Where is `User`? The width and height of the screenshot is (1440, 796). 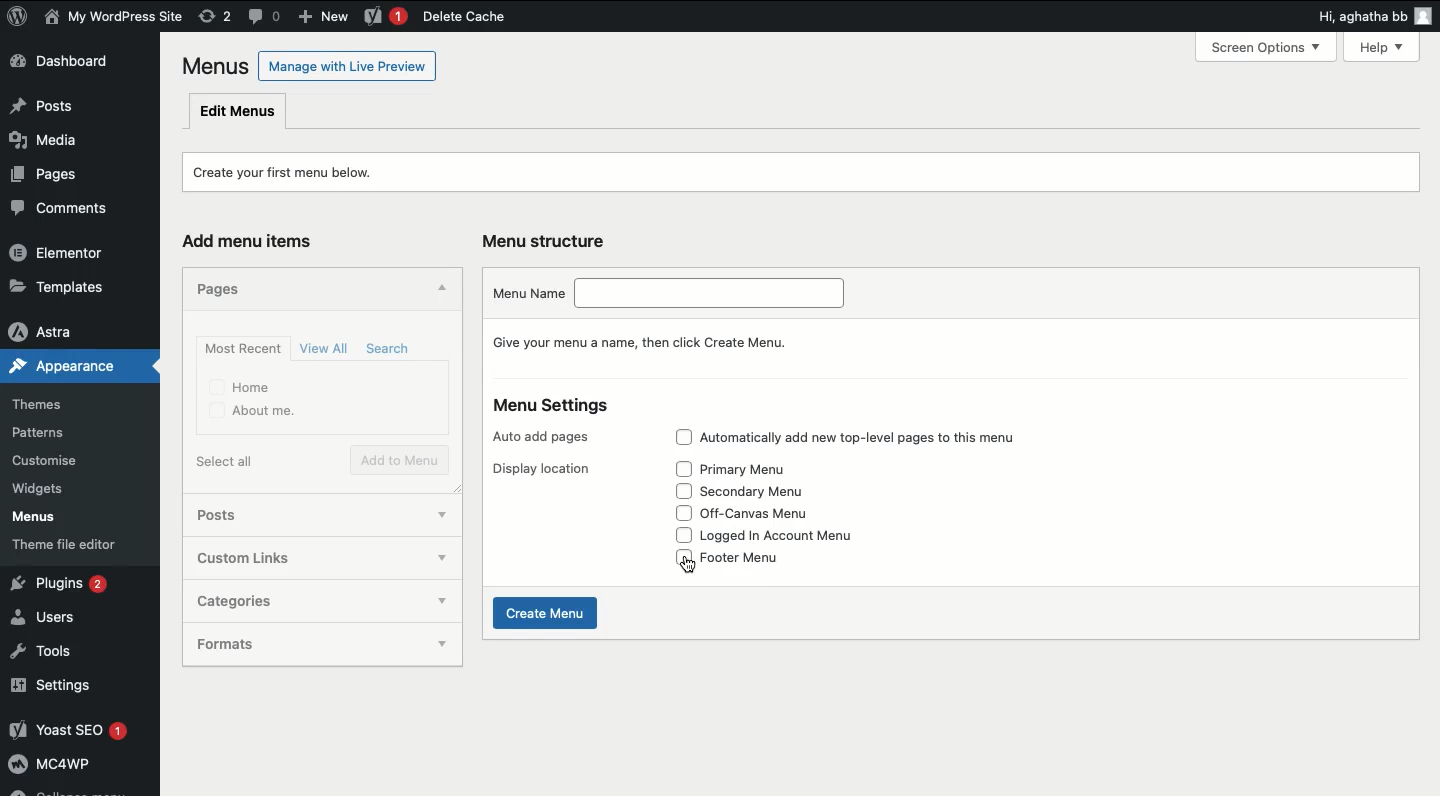 User is located at coordinates (114, 18).